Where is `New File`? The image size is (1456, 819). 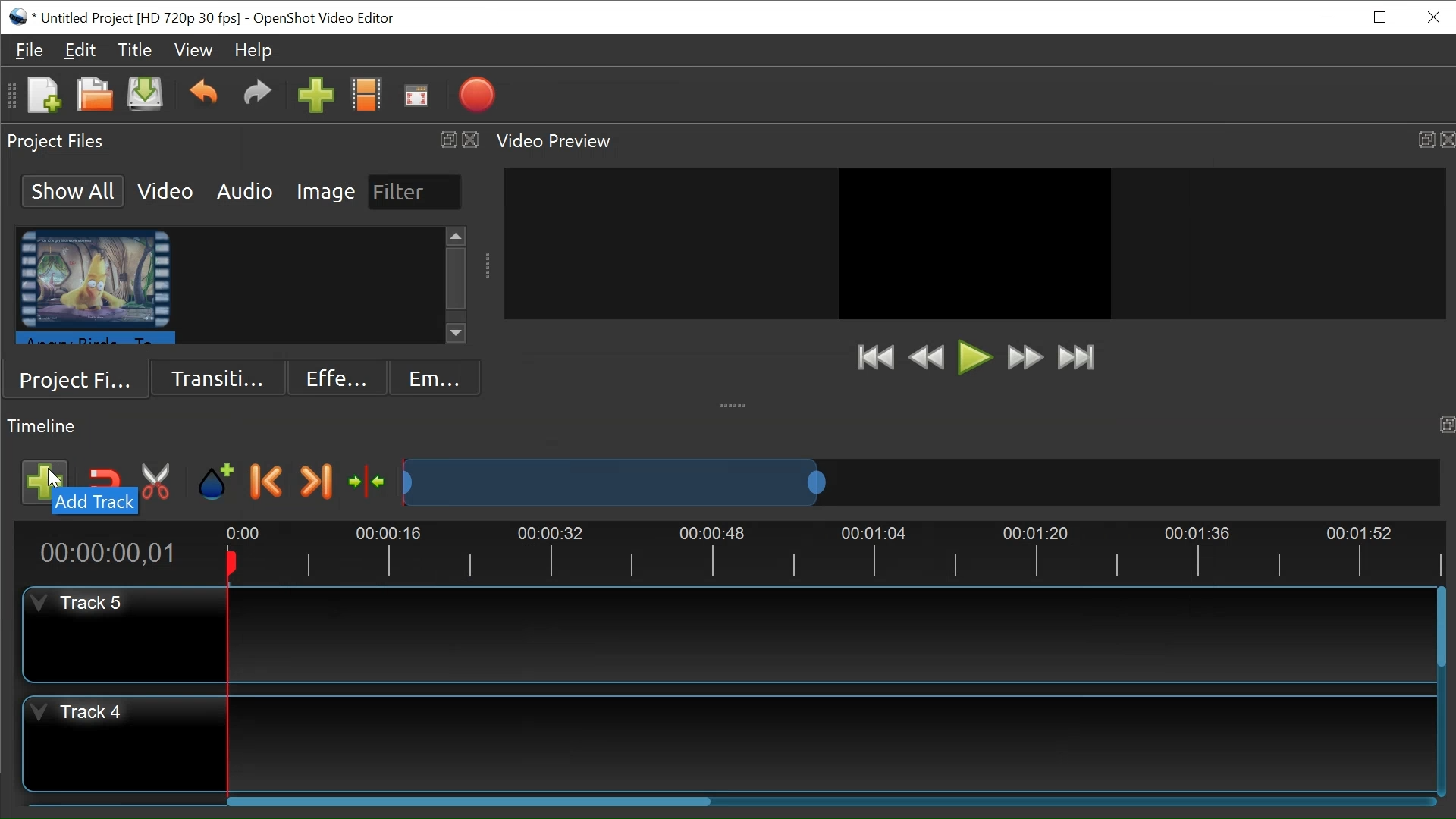 New File is located at coordinates (143, 96).